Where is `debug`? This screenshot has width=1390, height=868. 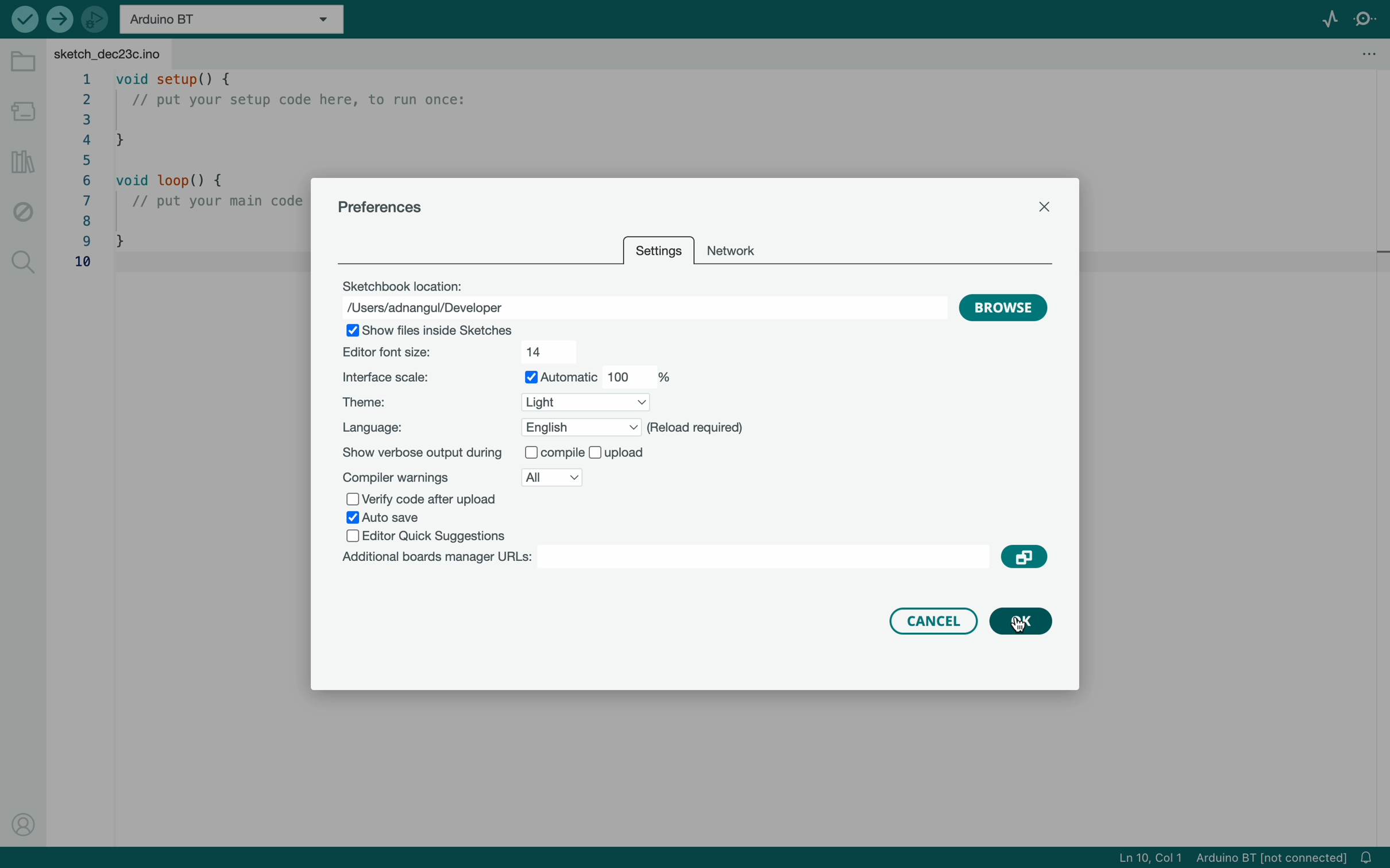
debug is located at coordinates (22, 214).